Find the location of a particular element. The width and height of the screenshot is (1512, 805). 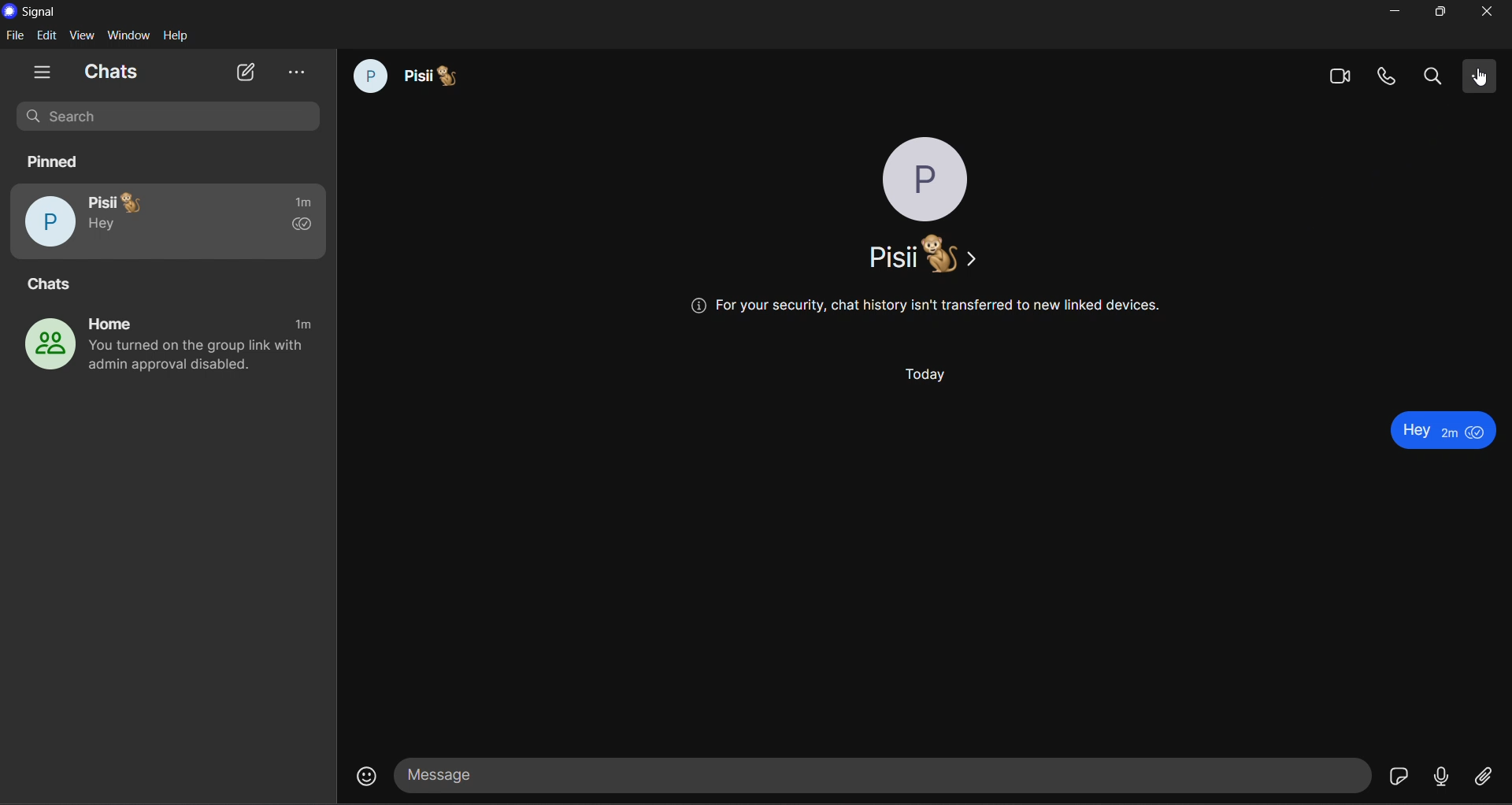

view is located at coordinates (83, 35).